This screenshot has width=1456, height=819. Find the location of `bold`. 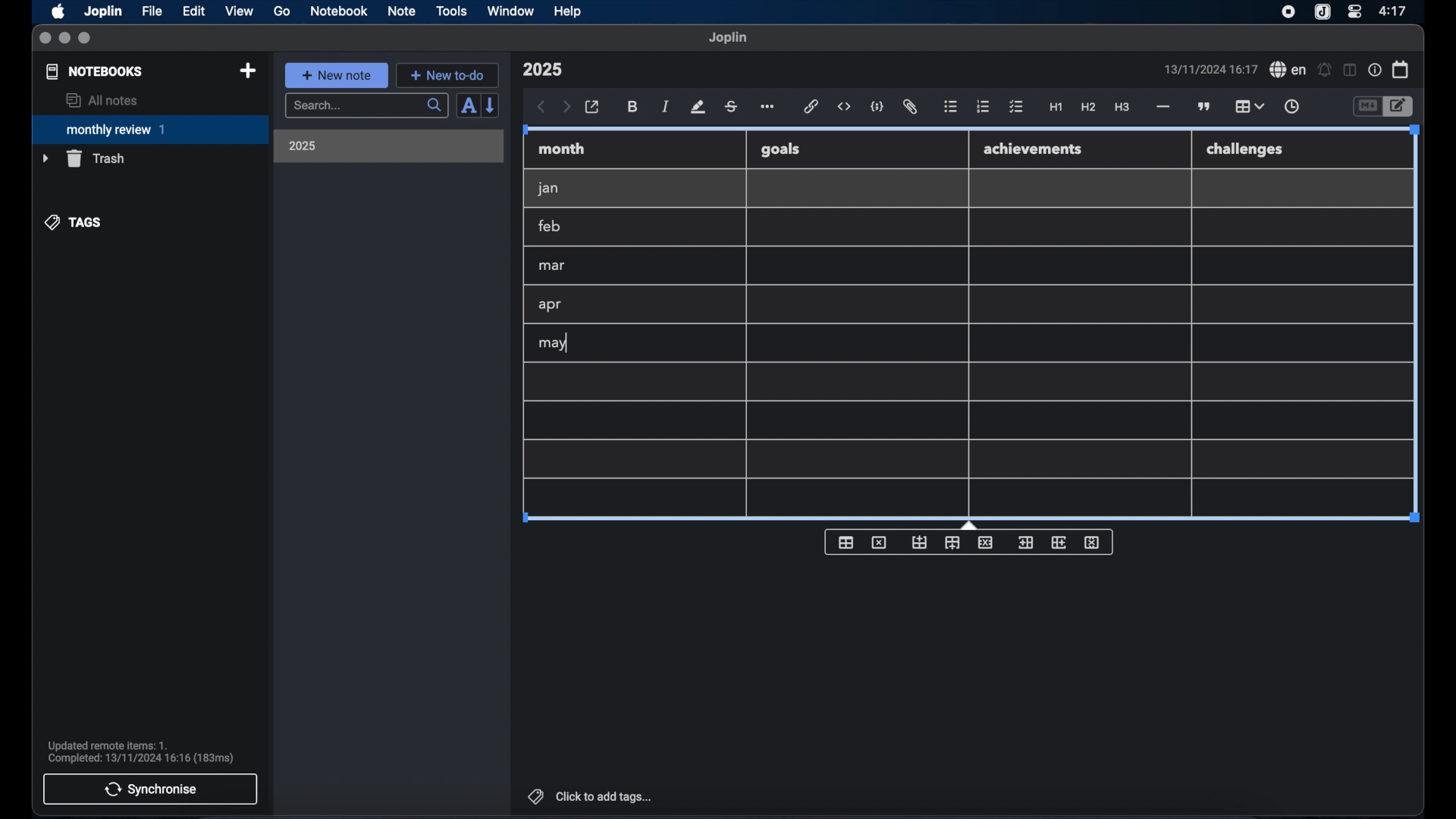

bold is located at coordinates (634, 107).